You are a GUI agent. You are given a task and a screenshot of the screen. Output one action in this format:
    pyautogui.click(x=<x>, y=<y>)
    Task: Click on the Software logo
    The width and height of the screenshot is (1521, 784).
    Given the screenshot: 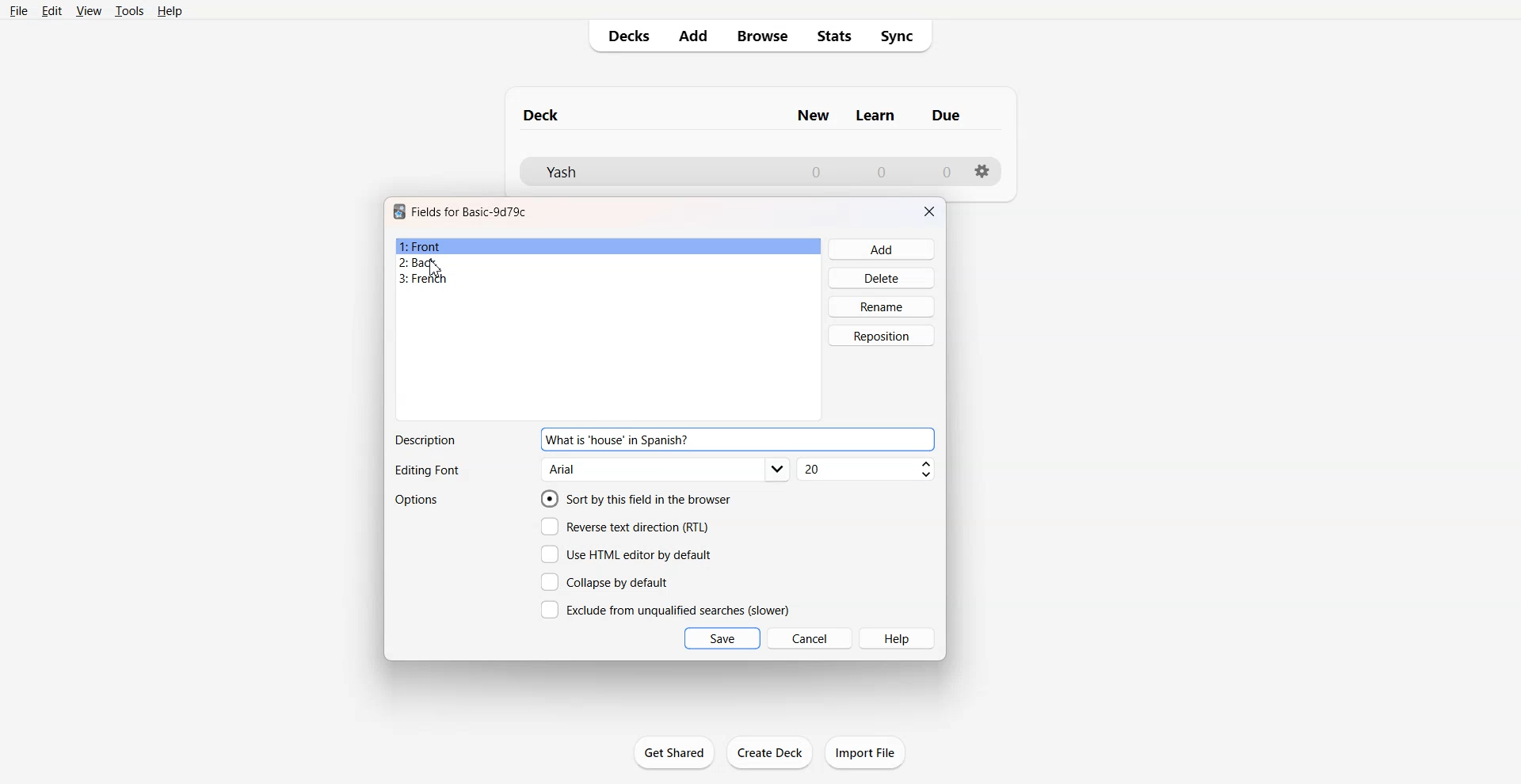 What is the action you would take?
    pyautogui.click(x=399, y=211)
    